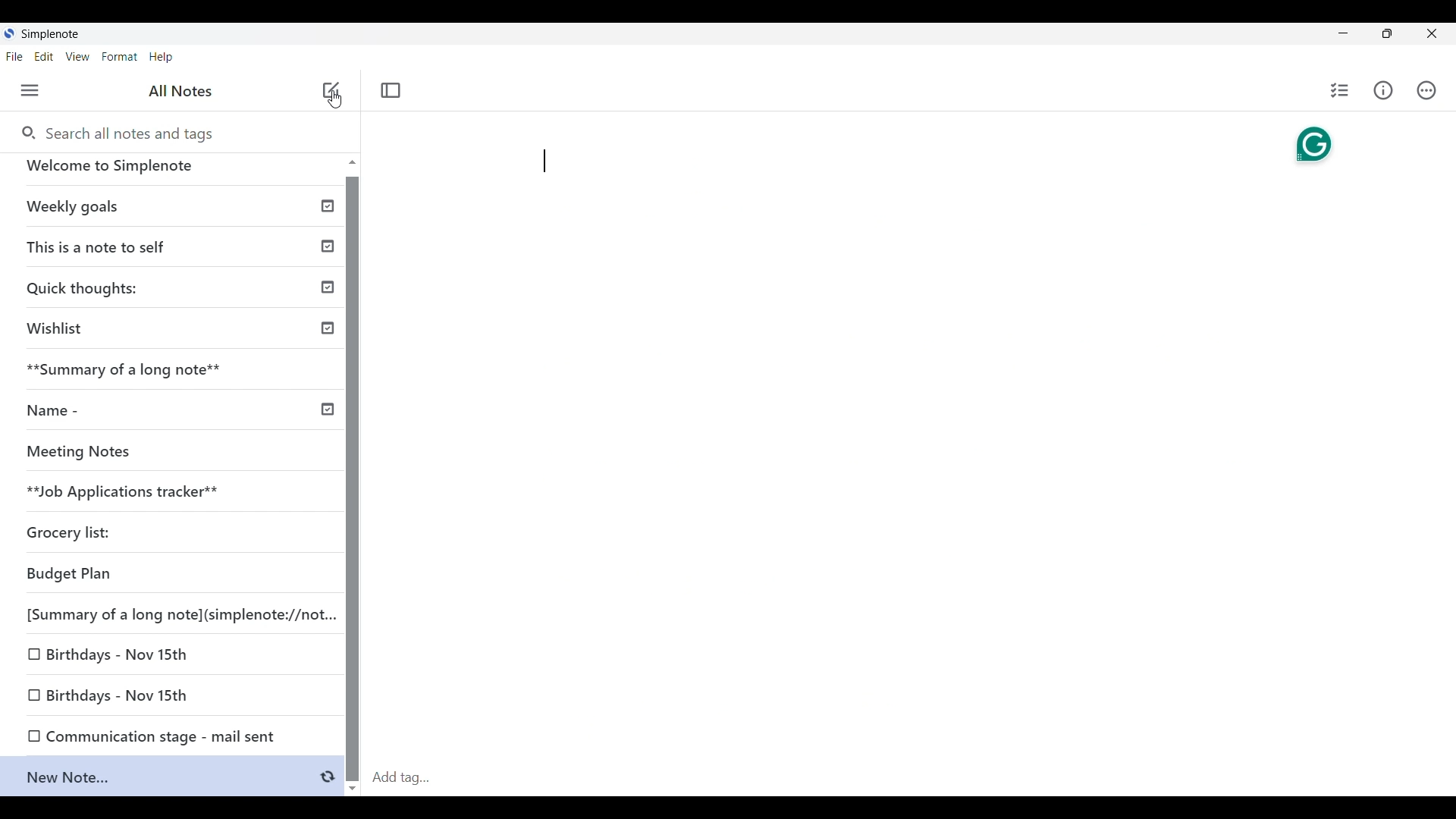 This screenshot has width=1456, height=819. What do you see at coordinates (181, 252) in the screenshot?
I see `Published note indicated by check icon` at bounding box center [181, 252].